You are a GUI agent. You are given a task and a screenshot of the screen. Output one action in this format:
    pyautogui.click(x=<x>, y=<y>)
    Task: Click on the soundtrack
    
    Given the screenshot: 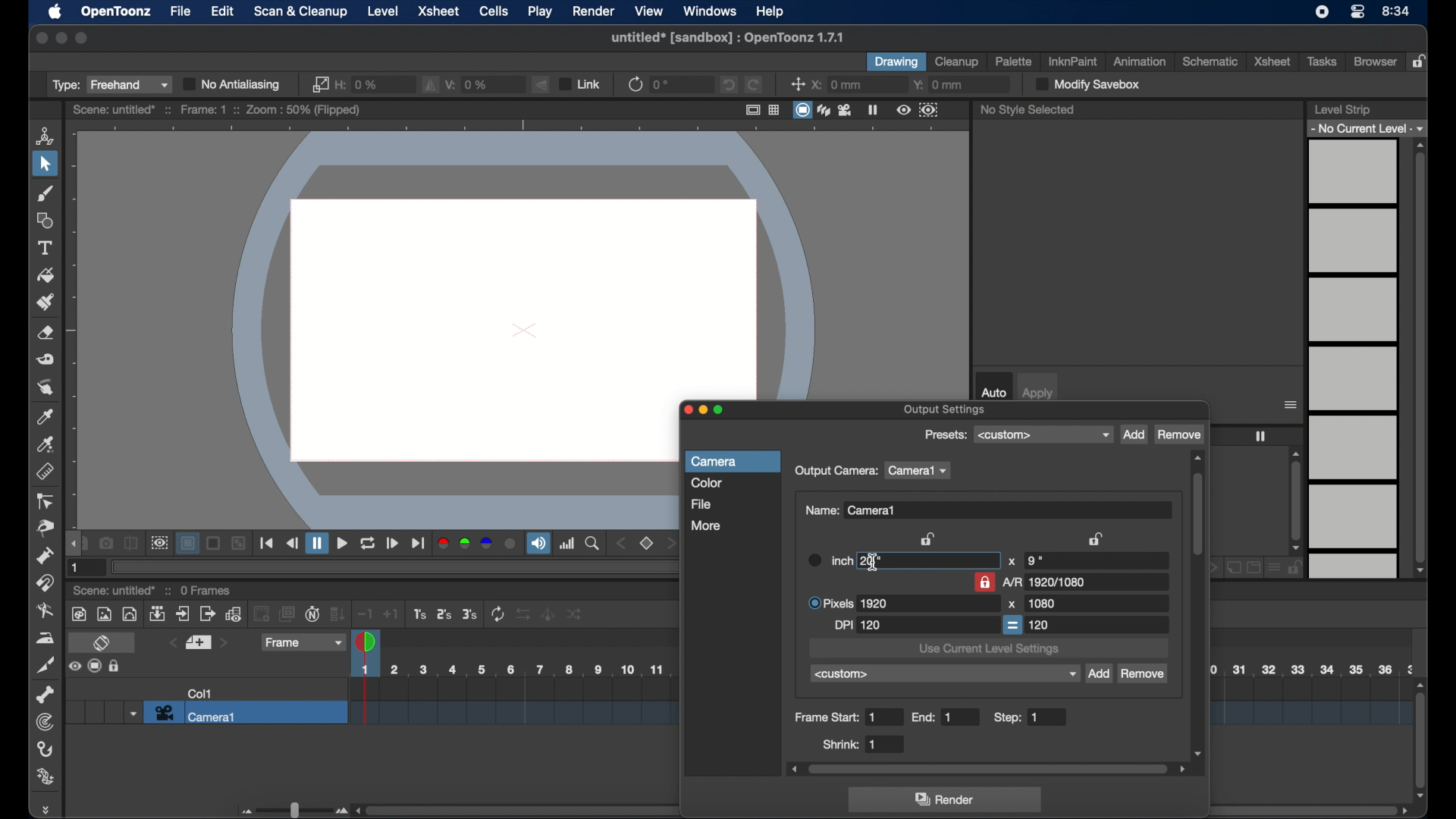 What is the action you would take?
    pyautogui.click(x=538, y=544)
    